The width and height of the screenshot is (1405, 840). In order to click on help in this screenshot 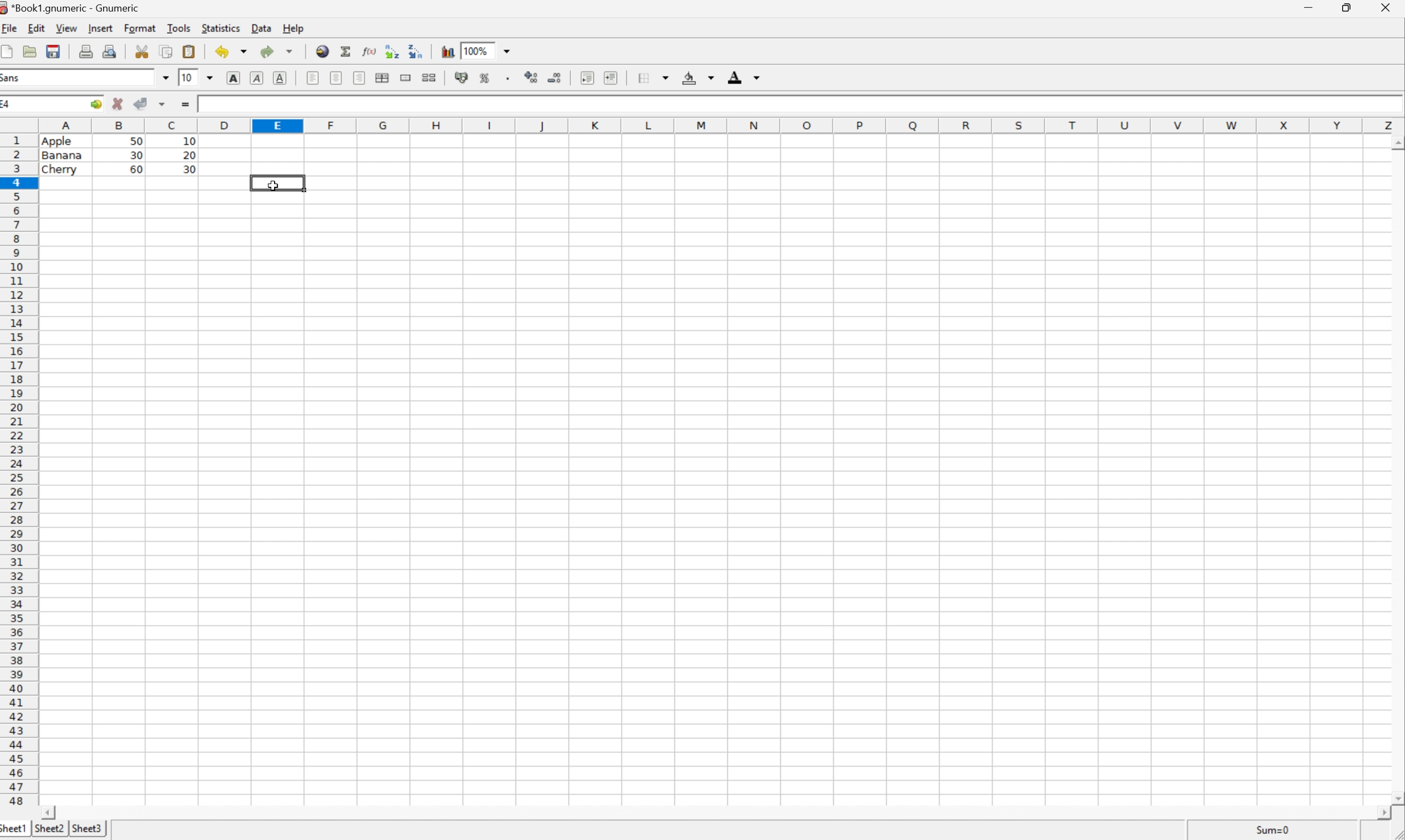, I will do `click(293, 28)`.